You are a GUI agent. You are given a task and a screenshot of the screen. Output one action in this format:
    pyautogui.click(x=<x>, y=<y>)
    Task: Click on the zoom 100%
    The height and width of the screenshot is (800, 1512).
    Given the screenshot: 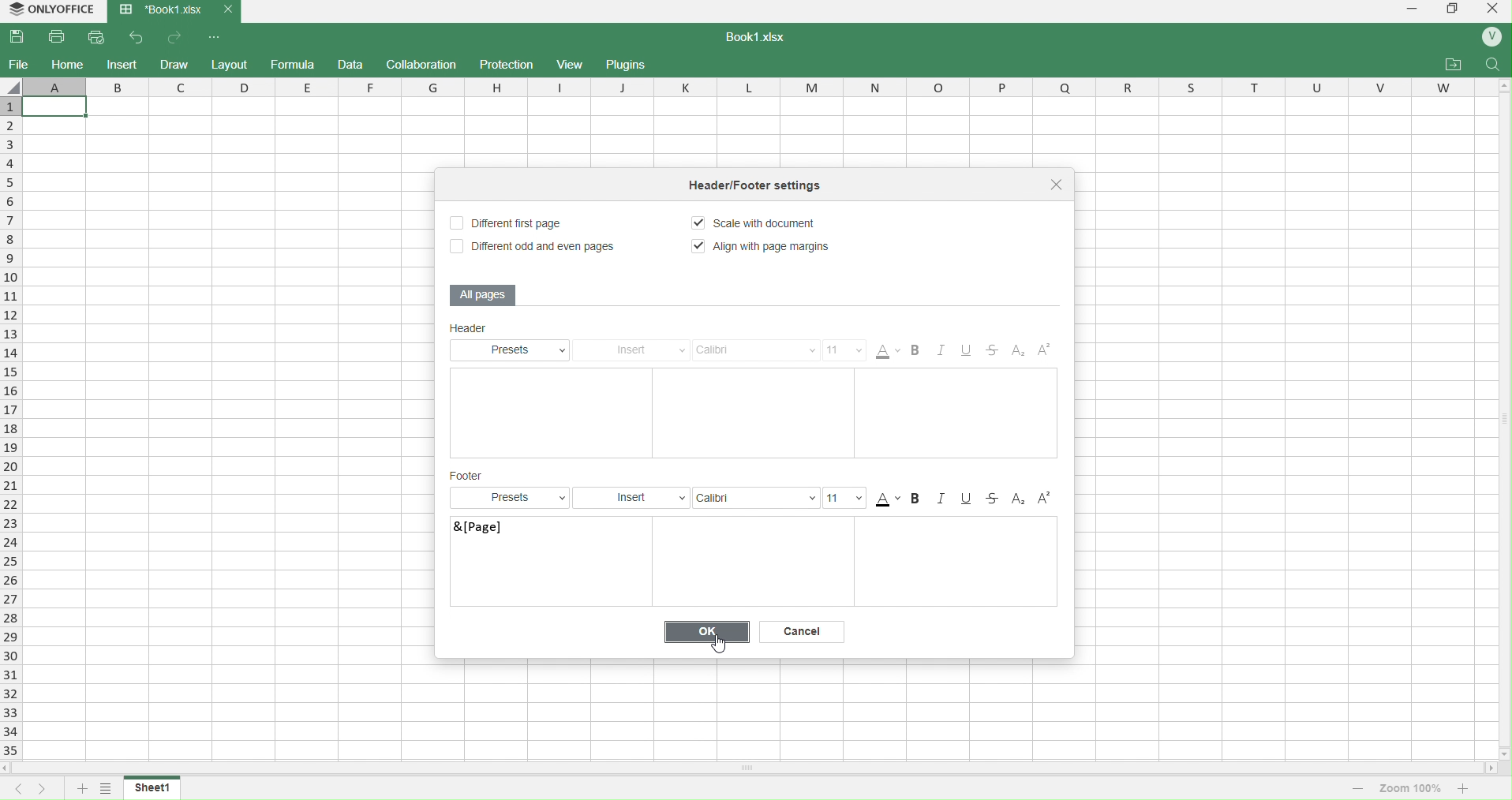 What is the action you would take?
    pyautogui.click(x=1412, y=787)
    